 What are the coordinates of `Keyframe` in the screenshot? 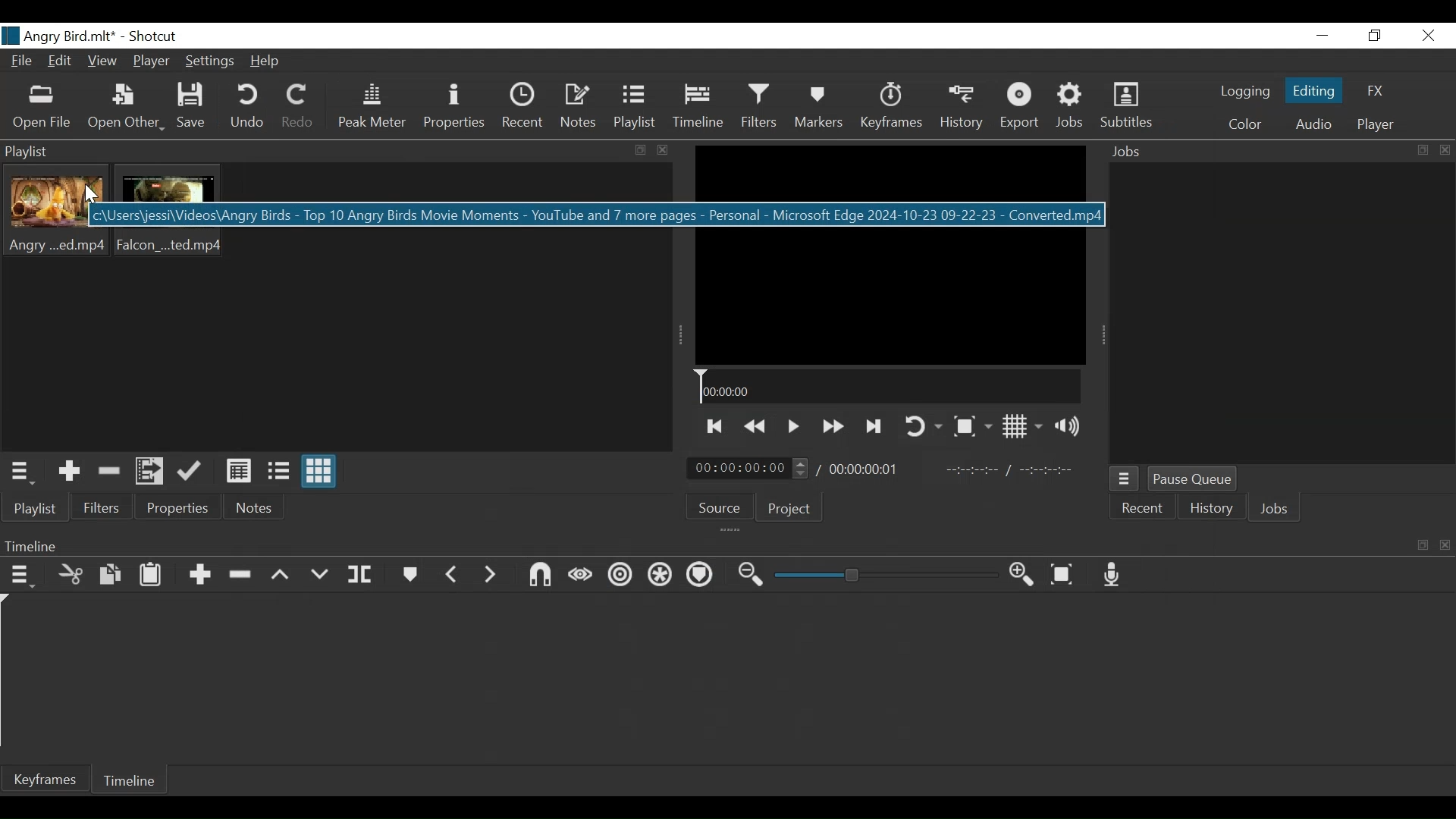 It's located at (44, 780).